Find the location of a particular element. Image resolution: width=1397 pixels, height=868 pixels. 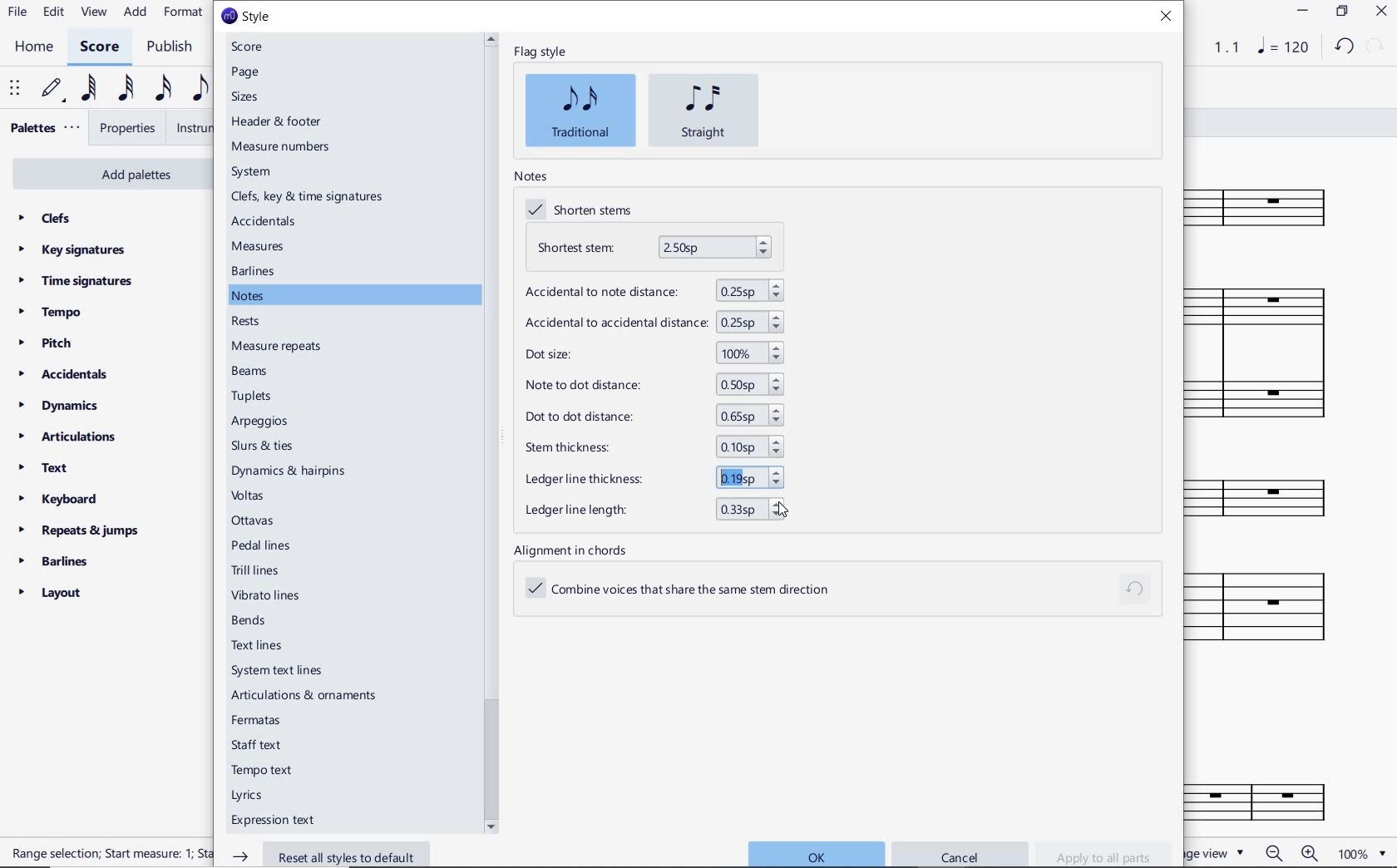

stem thickness is located at coordinates (649, 449).